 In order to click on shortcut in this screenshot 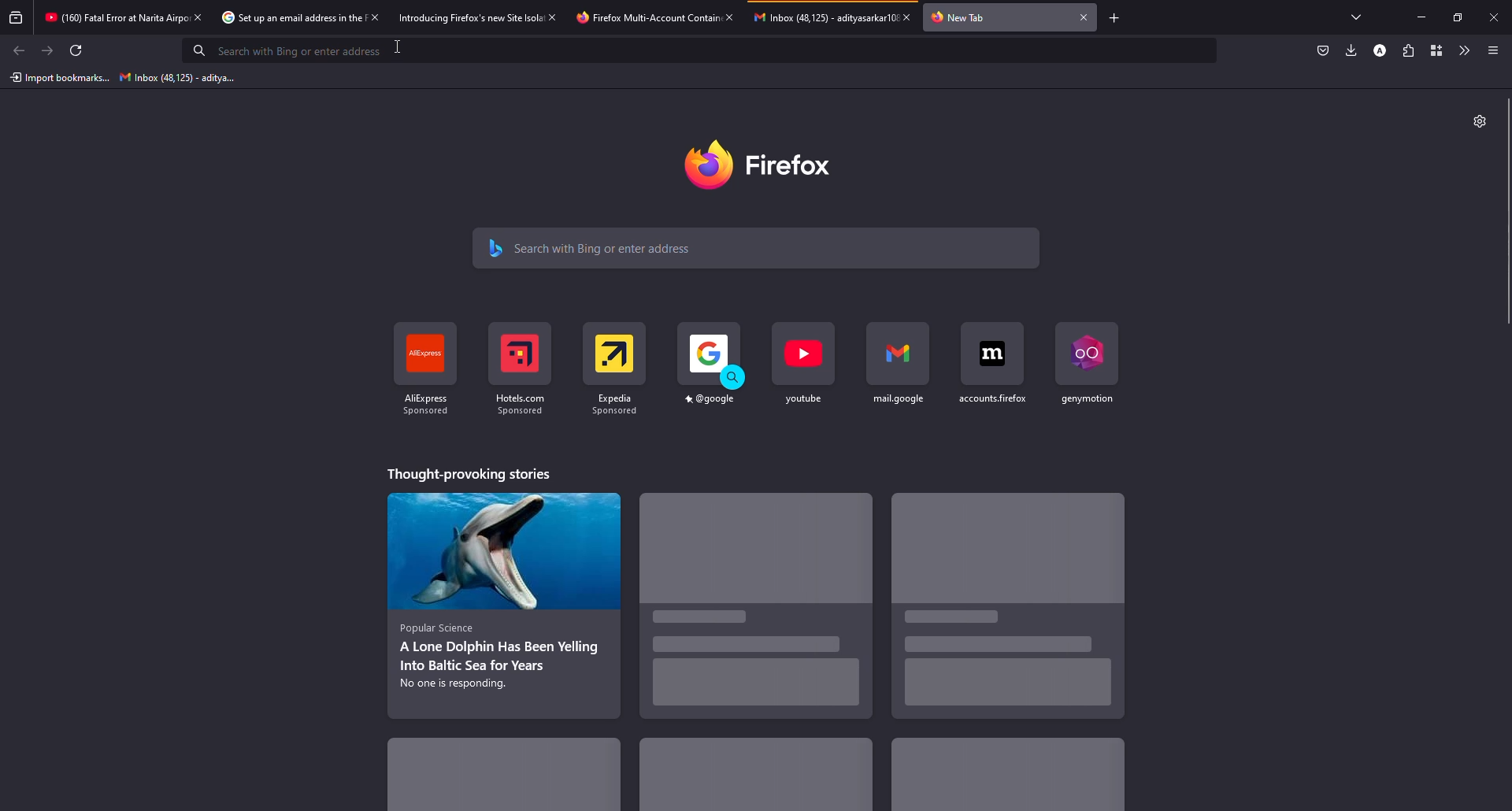, I will do `click(617, 374)`.